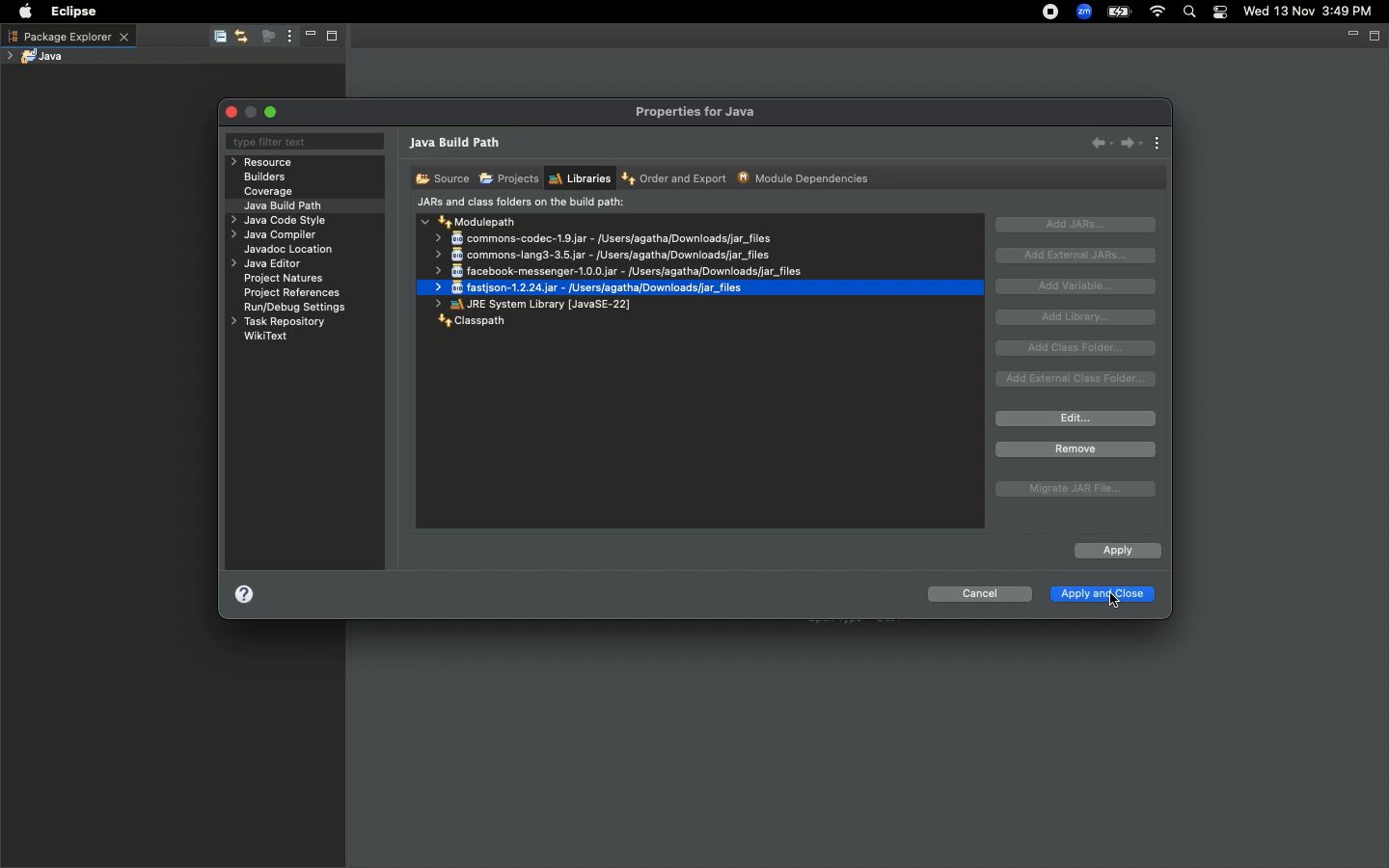 Image resolution: width=1389 pixels, height=868 pixels. I want to click on Apply, so click(1116, 552).